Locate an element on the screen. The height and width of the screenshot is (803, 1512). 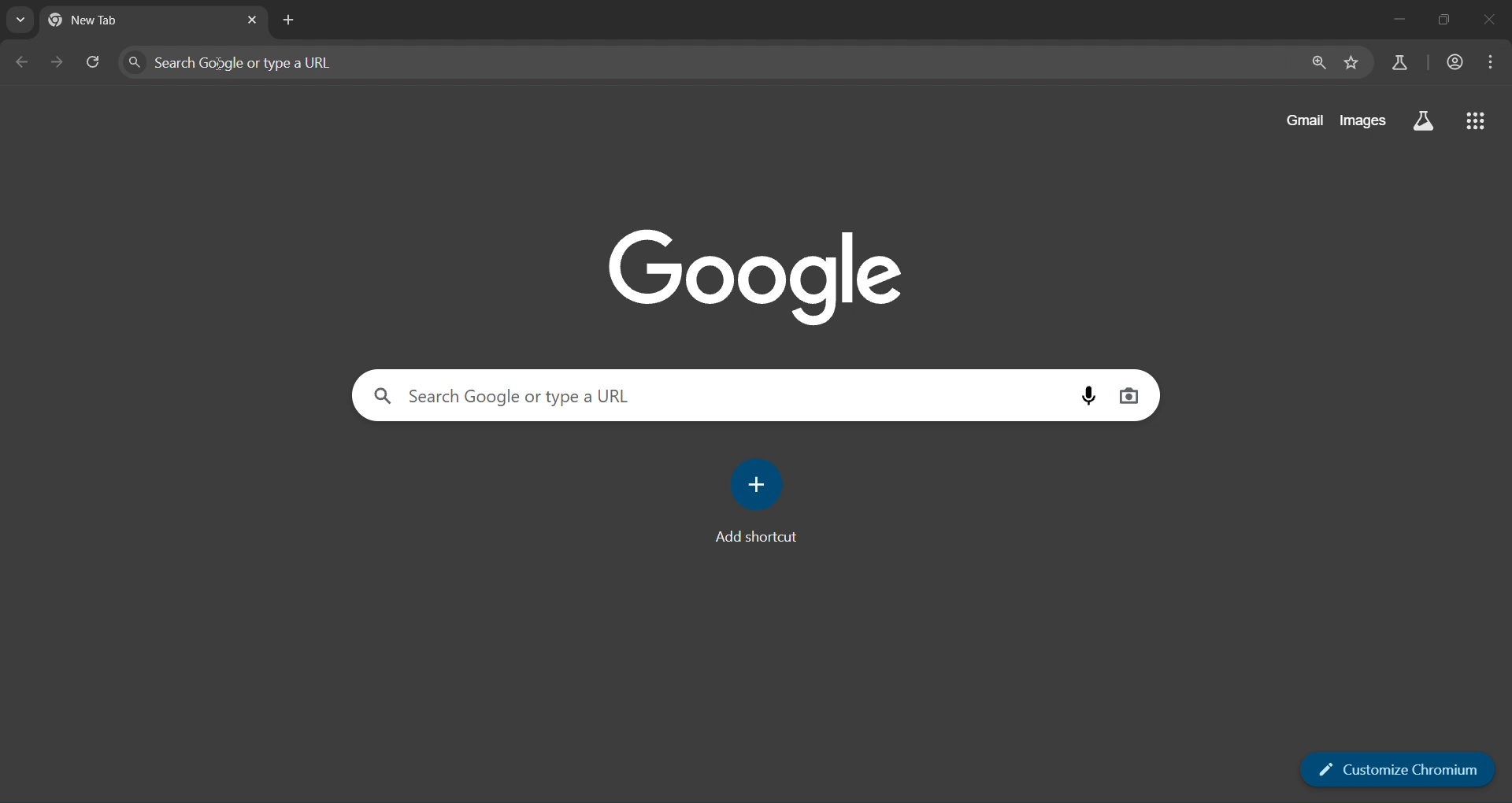
customize chromium is located at coordinates (1392, 770).